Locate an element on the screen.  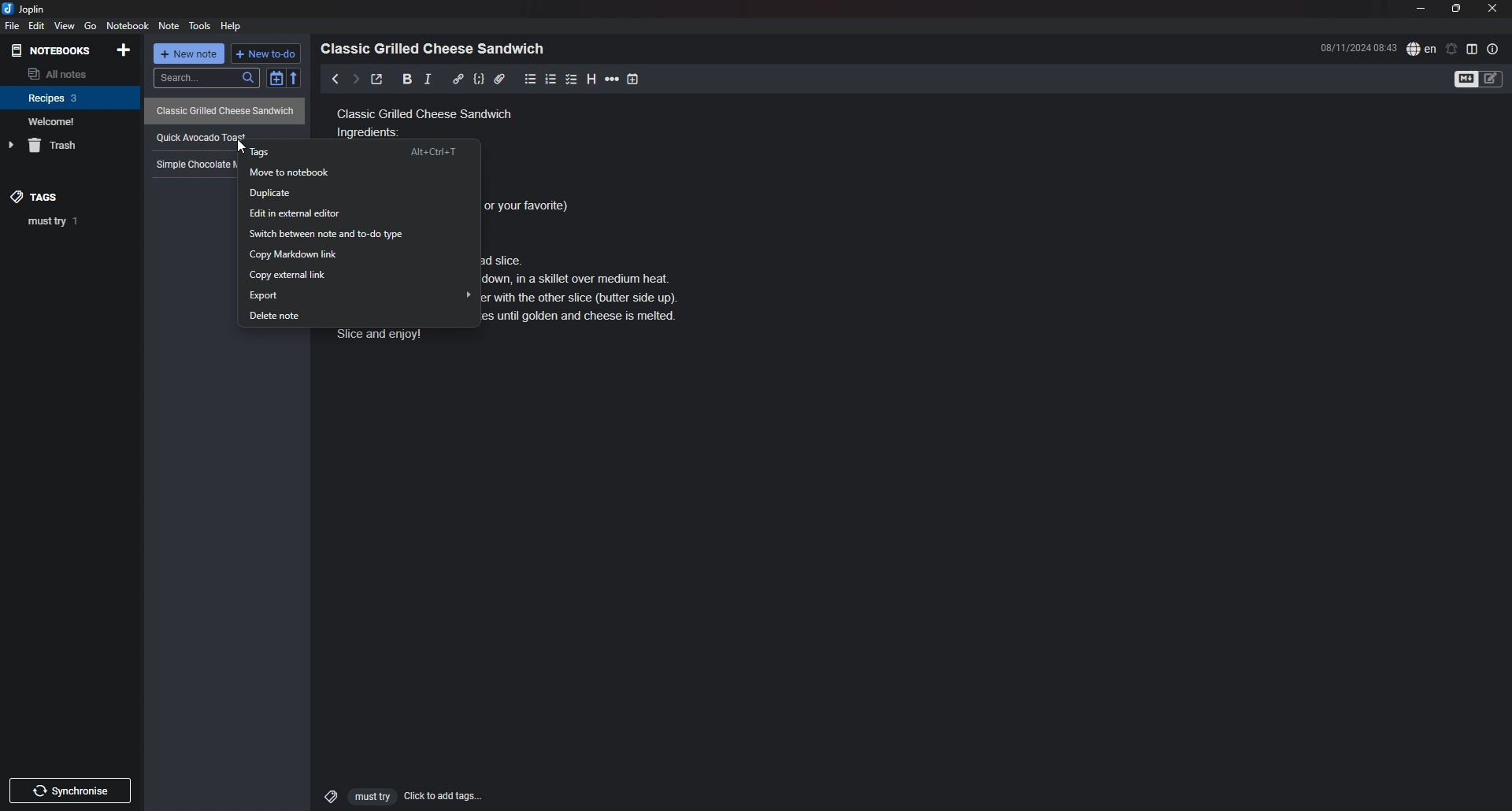
cursor is located at coordinates (246, 149).